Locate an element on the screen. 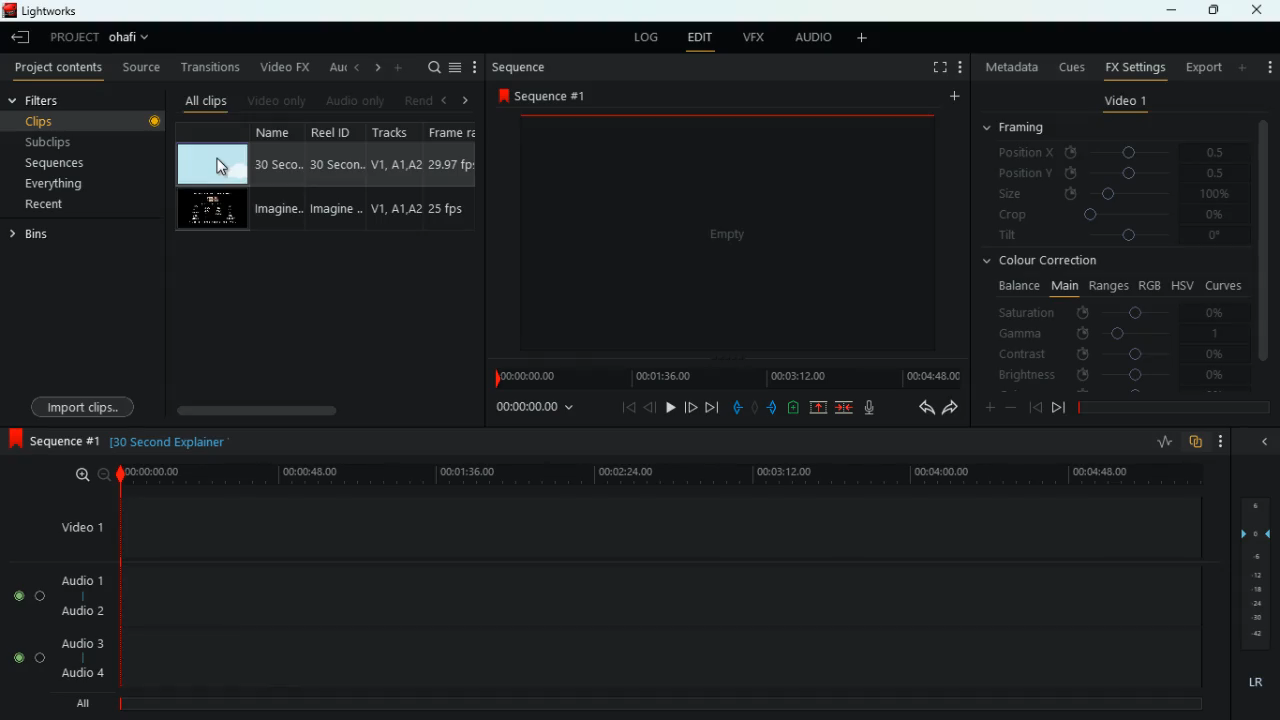  up is located at coordinates (818, 407).